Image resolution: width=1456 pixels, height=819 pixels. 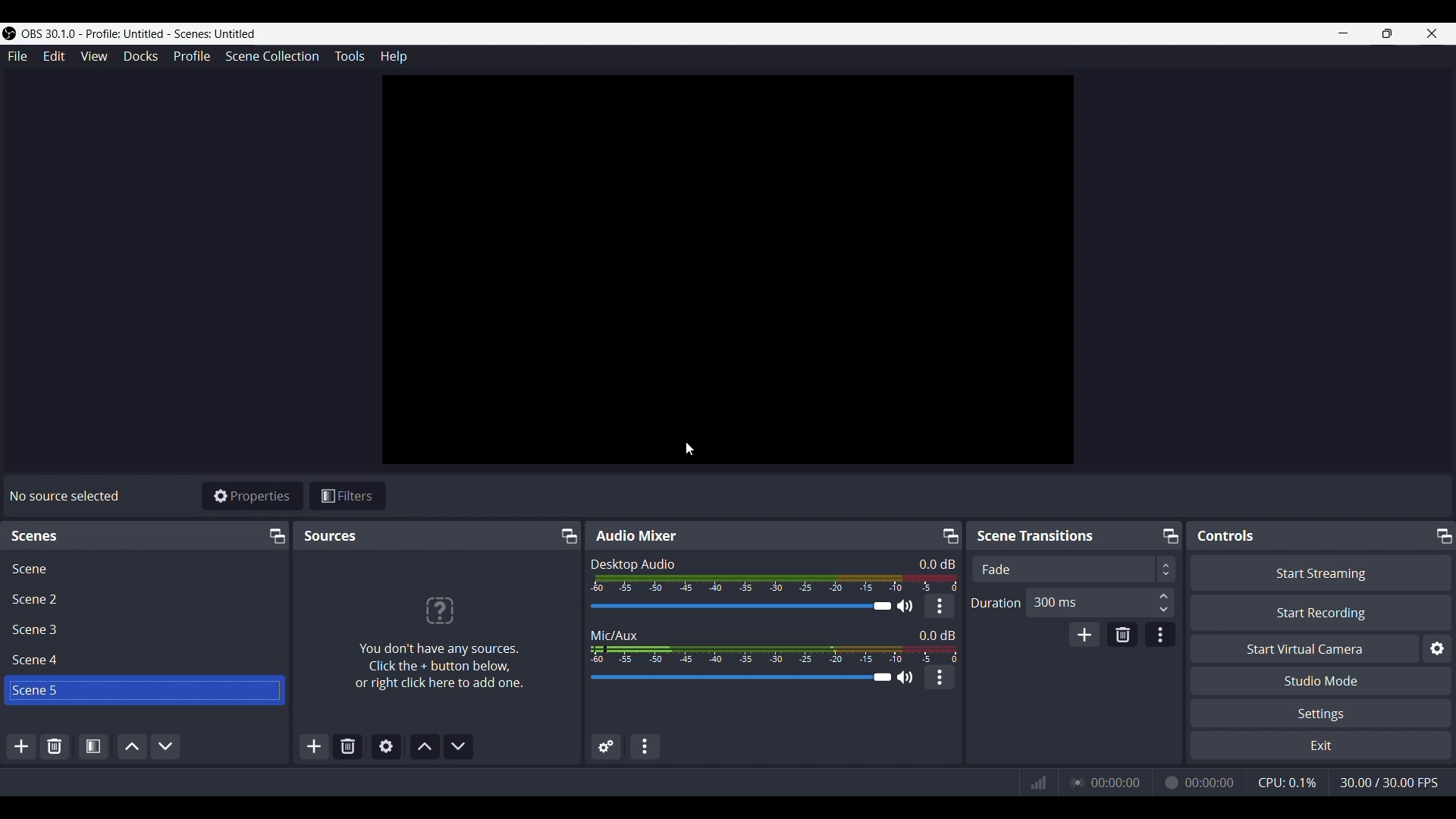 What do you see at coordinates (645, 746) in the screenshot?
I see `Audio Mixer Menu` at bounding box center [645, 746].